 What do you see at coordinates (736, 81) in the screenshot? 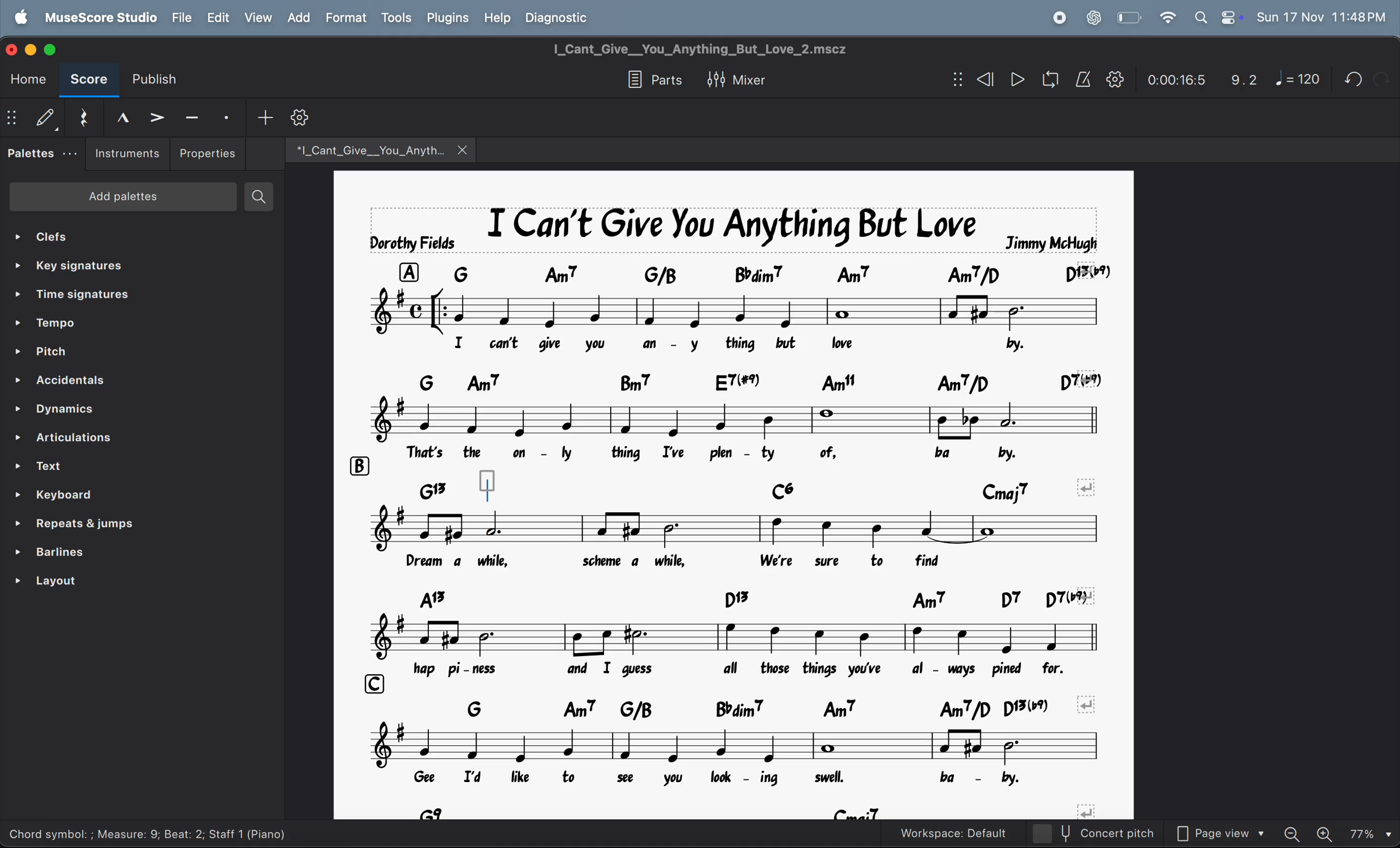
I see `mixer` at bounding box center [736, 81].